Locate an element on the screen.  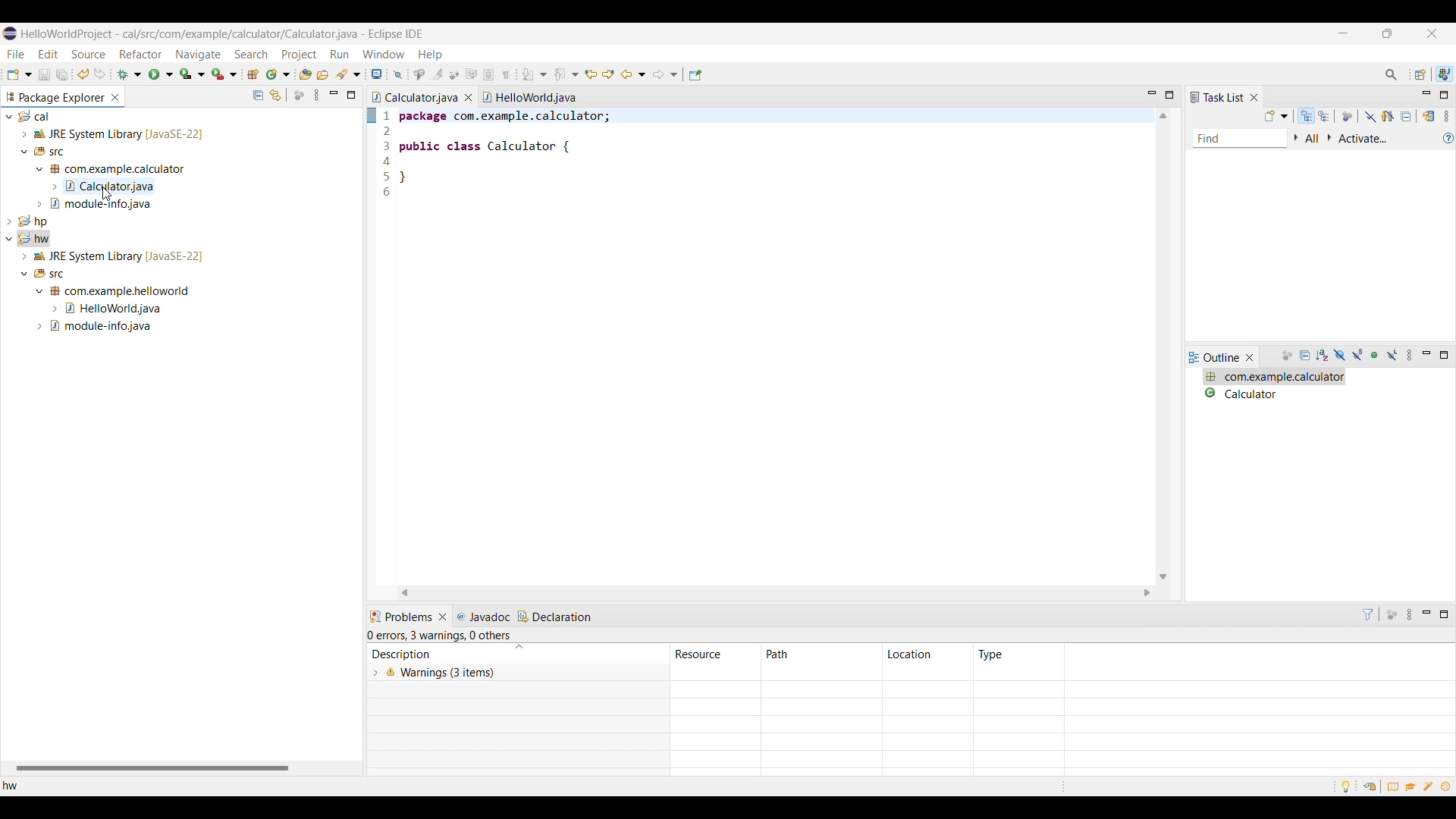
Focus on active task is located at coordinates (299, 95).